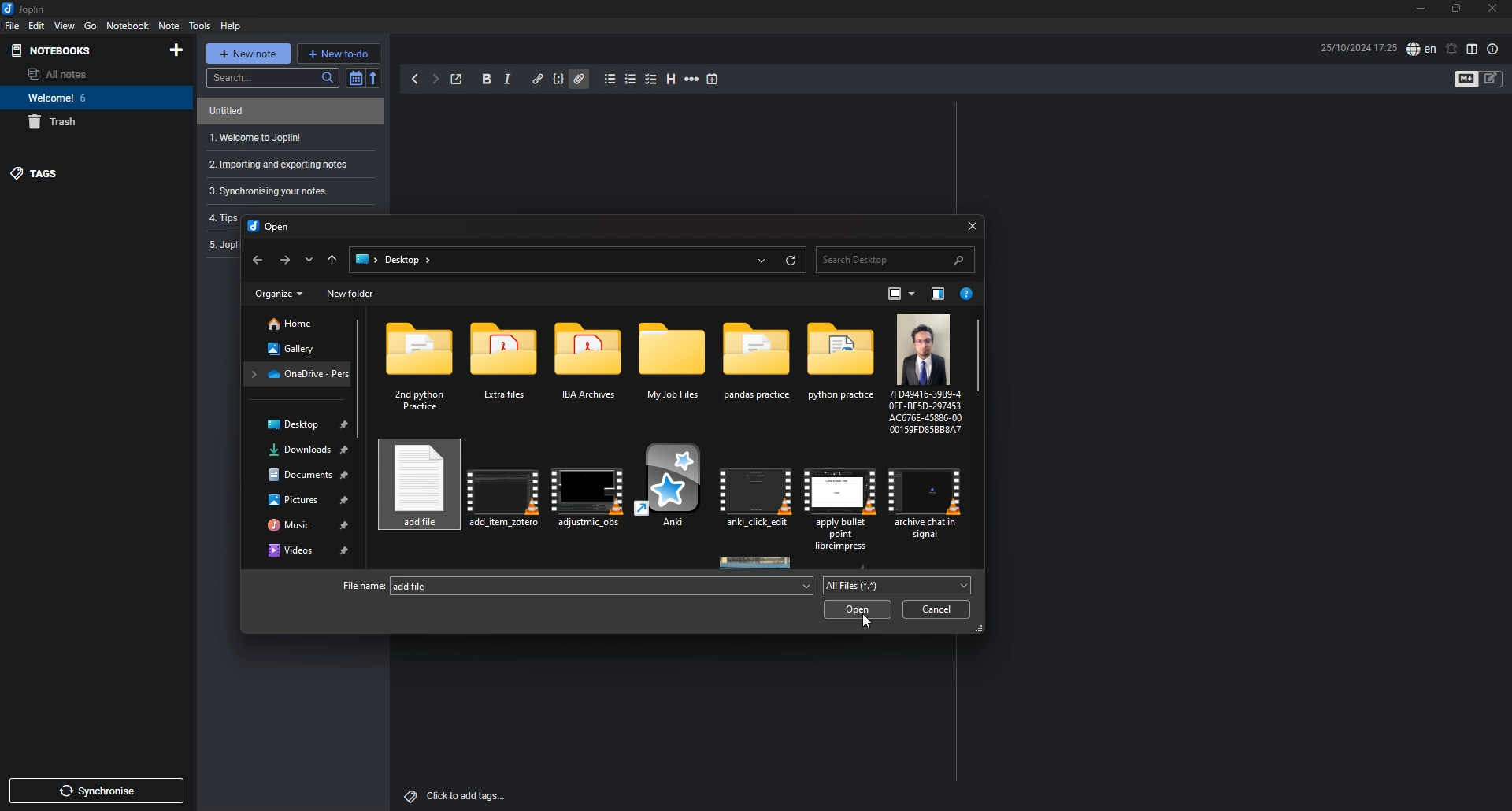 Image resolution: width=1512 pixels, height=811 pixels. What do you see at coordinates (355, 78) in the screenshot?
I see `toggle sort order field` at bounding box center [355, 78].